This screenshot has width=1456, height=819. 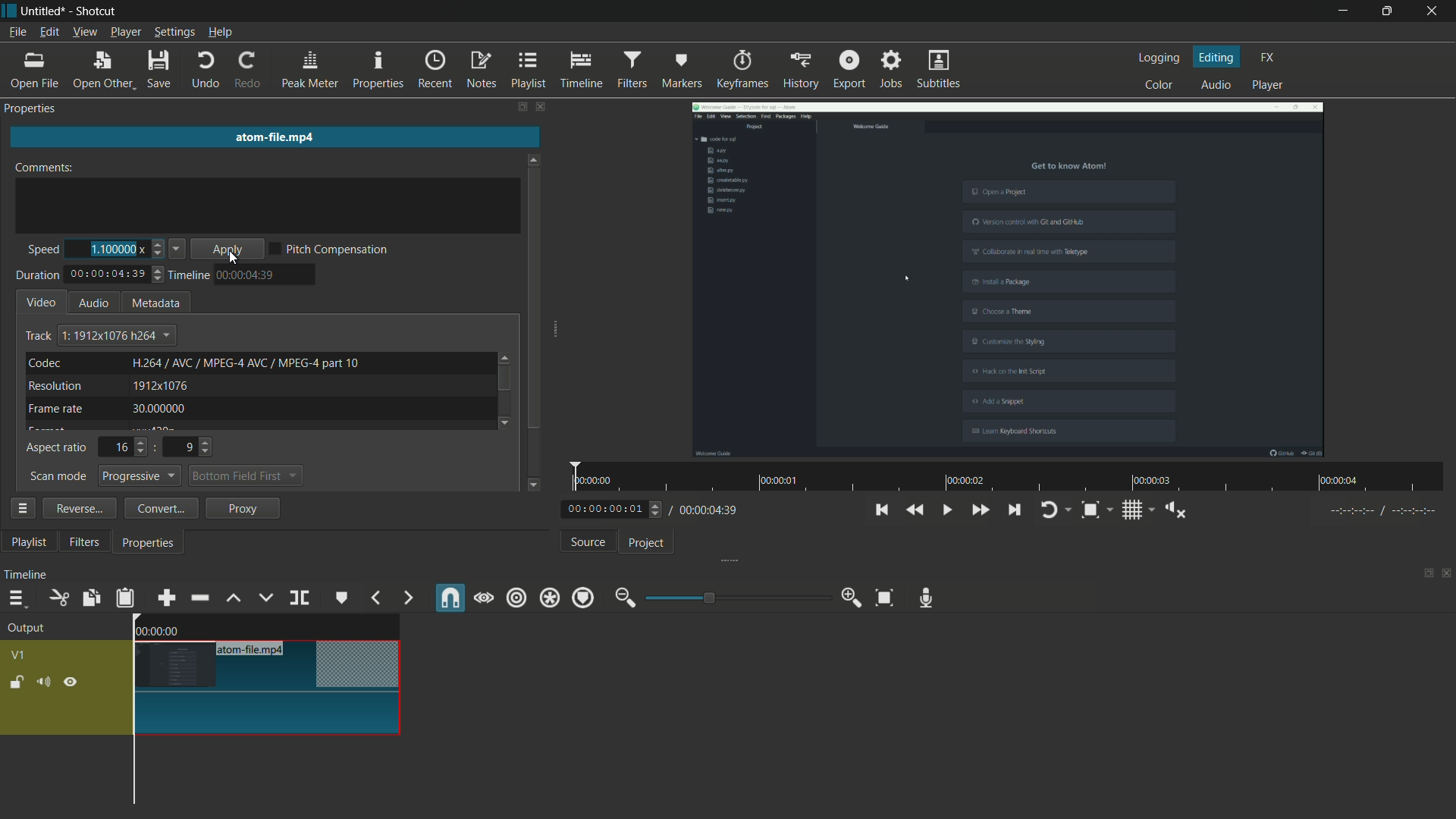 What do you see at coordinates (33, 108) in the screenshot?
I see `properties` at bounding box center [33, 108].